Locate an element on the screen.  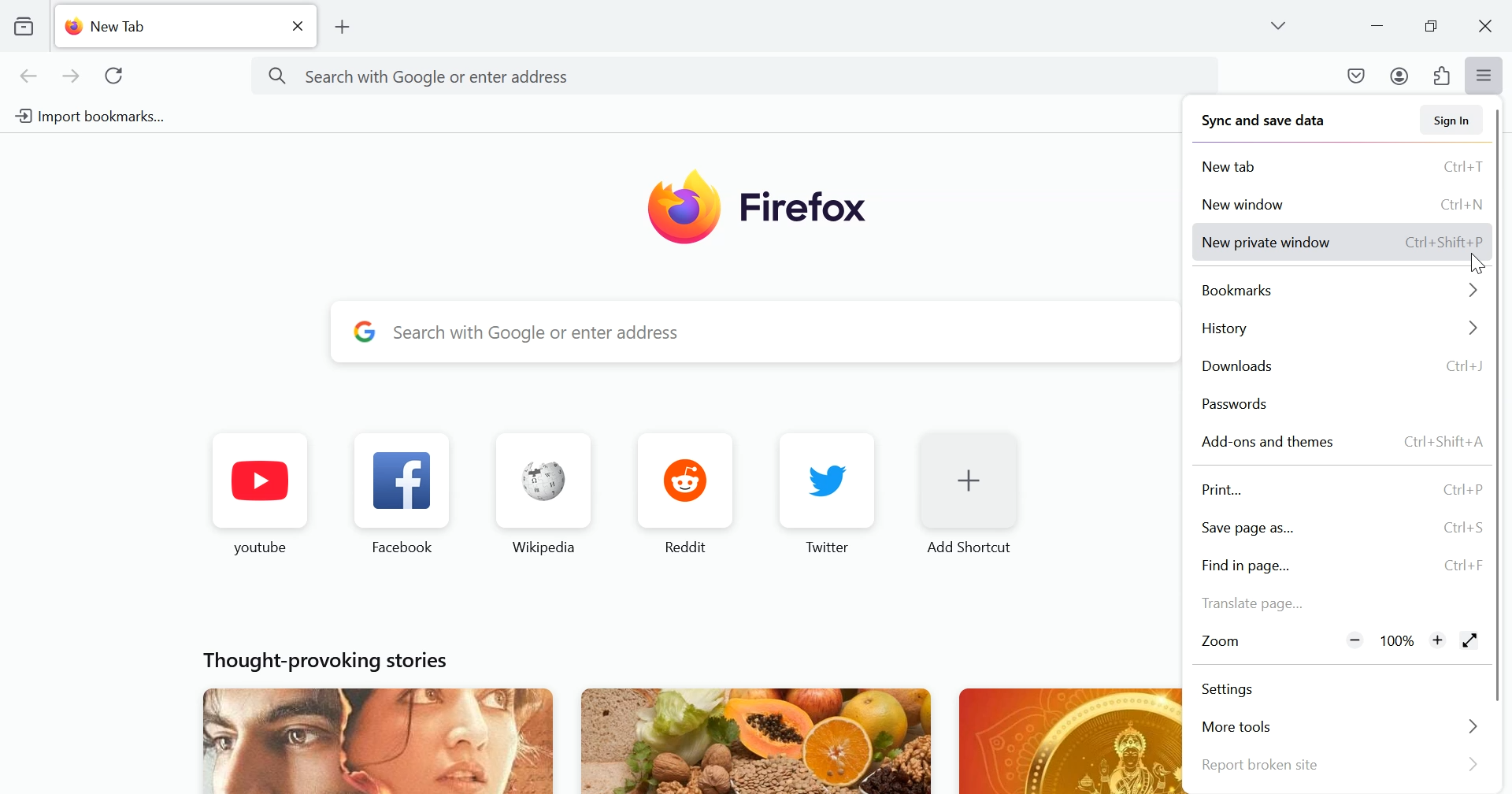
Sync and save data is located at coordinates (1264, 123).